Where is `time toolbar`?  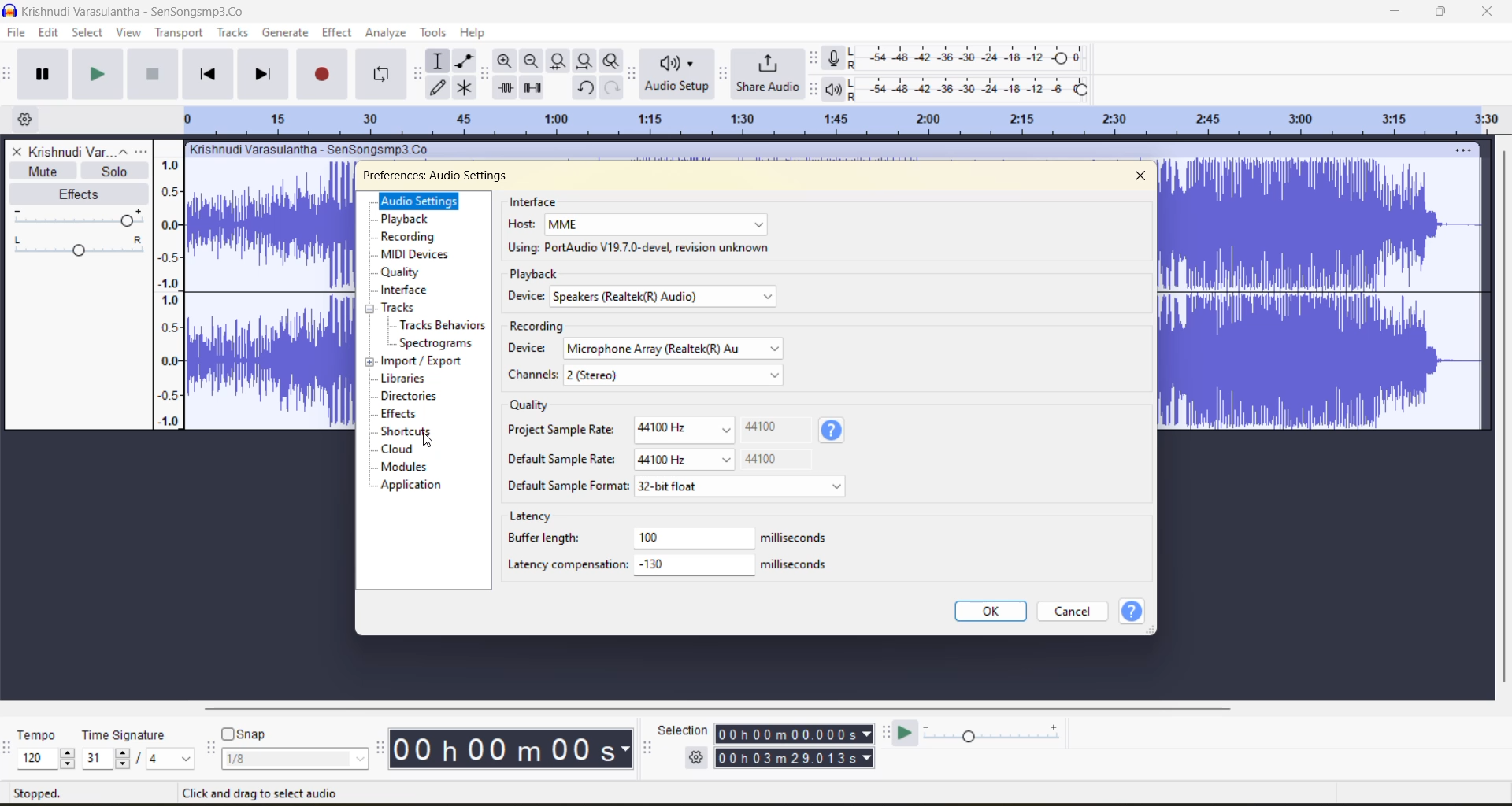 time toolbar is located at coordinates (381, 752).